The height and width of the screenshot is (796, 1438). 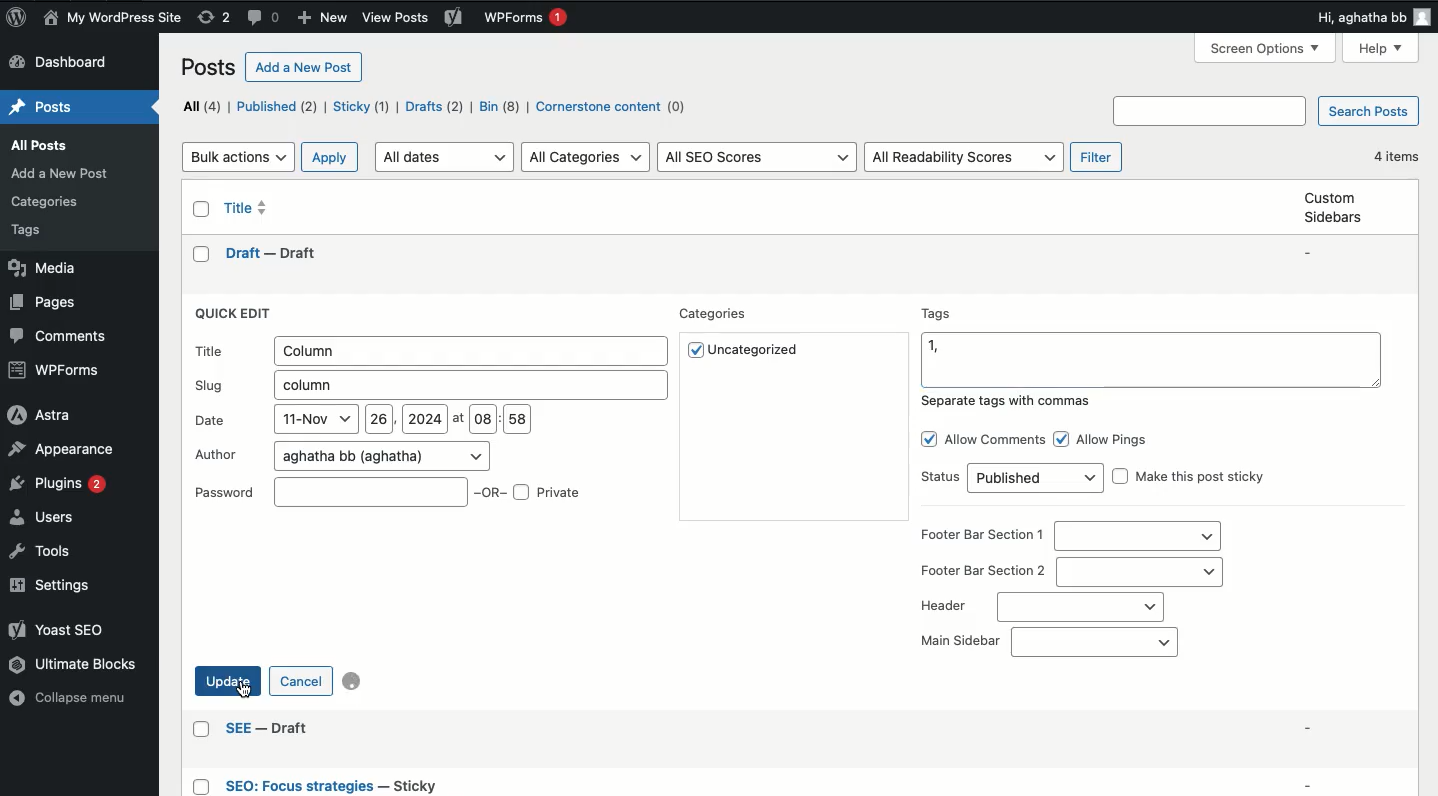 What do you see at coordinates (46, 145) in the screenshot?
I see `Posts` at bounding box center [46, 145].